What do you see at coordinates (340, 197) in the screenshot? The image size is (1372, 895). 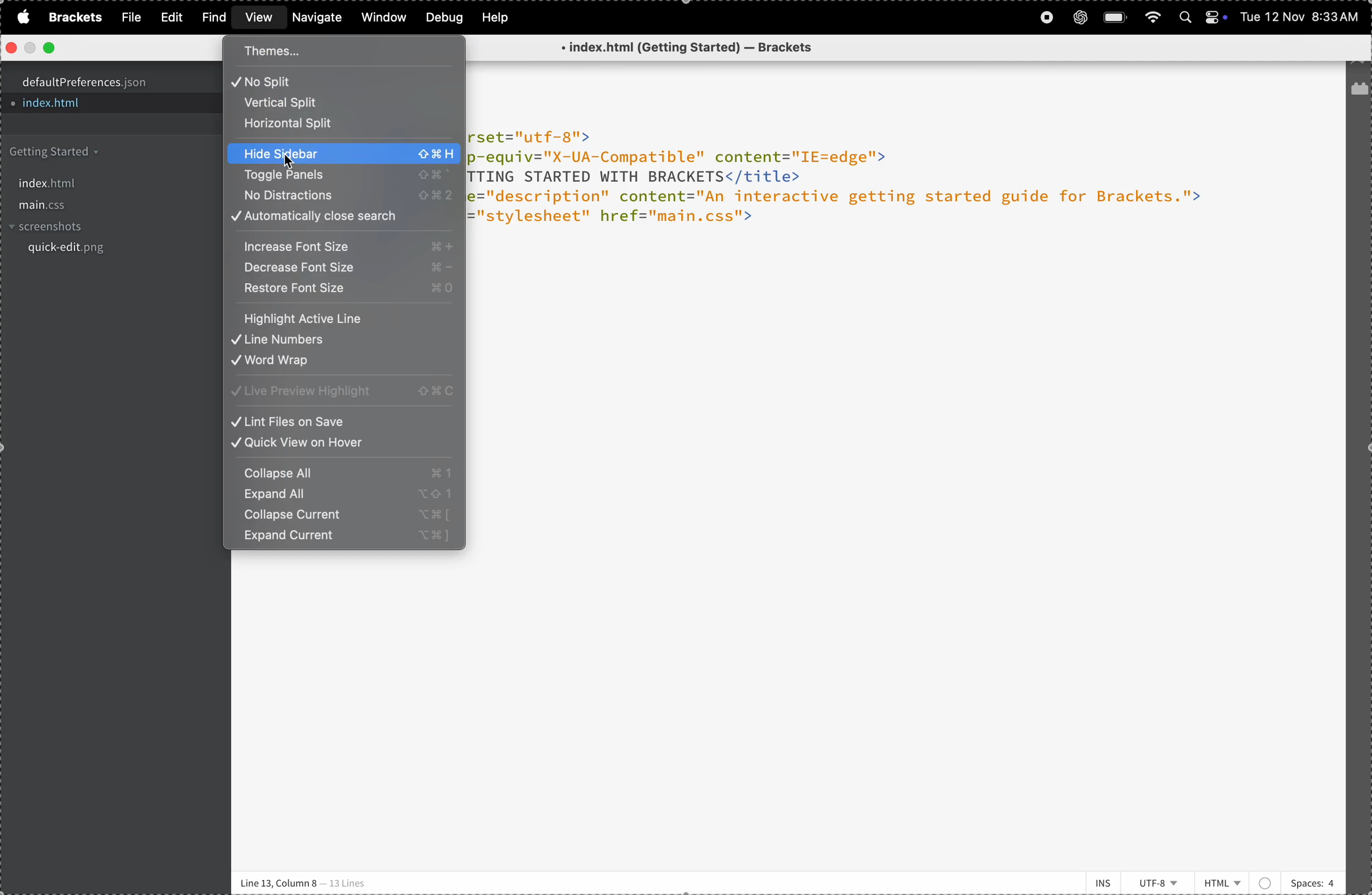 I see `no distractions` at bounding box center [340, 197].